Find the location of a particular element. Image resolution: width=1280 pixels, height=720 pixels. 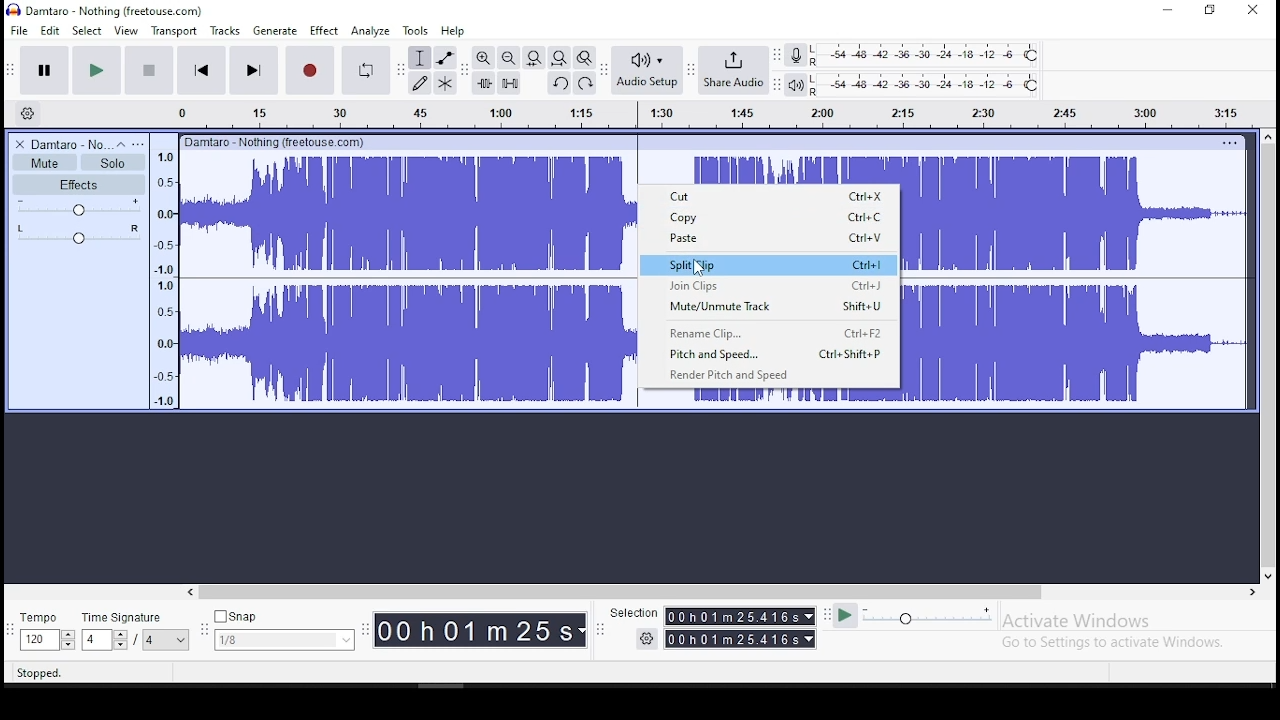

transport is located at coordinates (177, 30).